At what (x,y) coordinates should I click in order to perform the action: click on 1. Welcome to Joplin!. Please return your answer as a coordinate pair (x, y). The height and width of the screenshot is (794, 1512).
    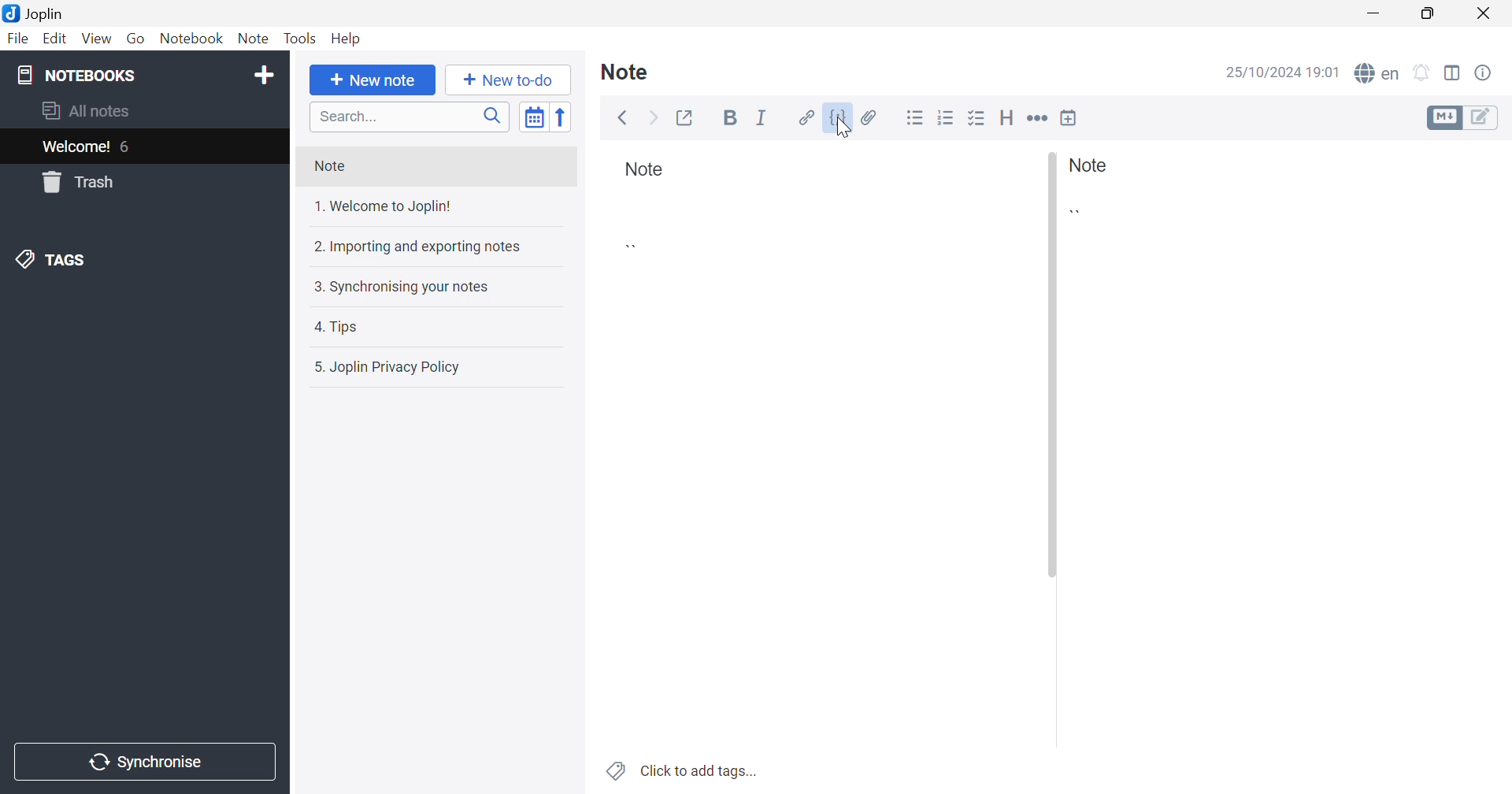
    Looking at the image, I should click on (379, 208).